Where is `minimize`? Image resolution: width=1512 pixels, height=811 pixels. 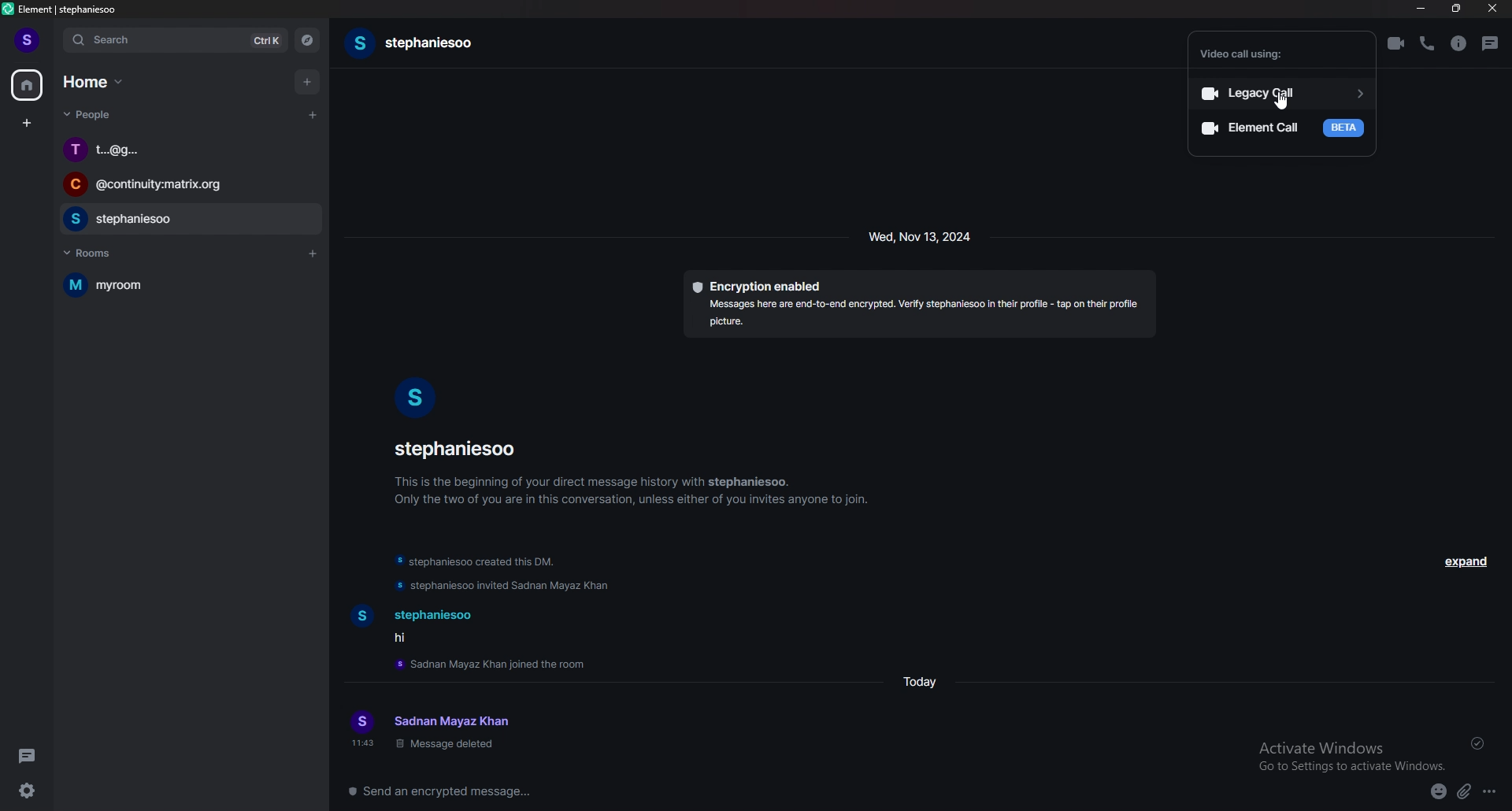
minimize is located at coordinates (1421, 9).